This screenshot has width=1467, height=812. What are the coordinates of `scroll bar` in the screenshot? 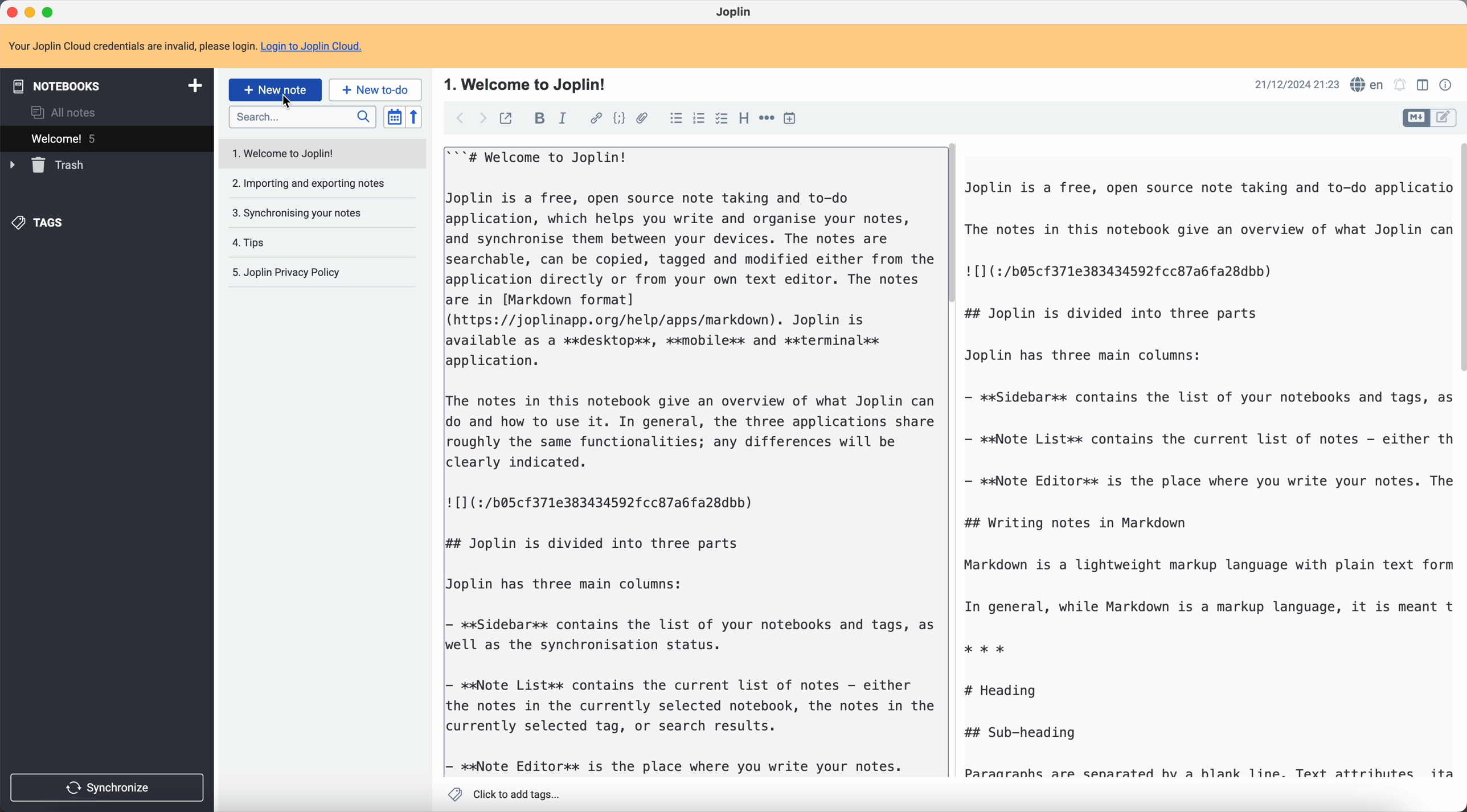 It's located at (1458, 255).